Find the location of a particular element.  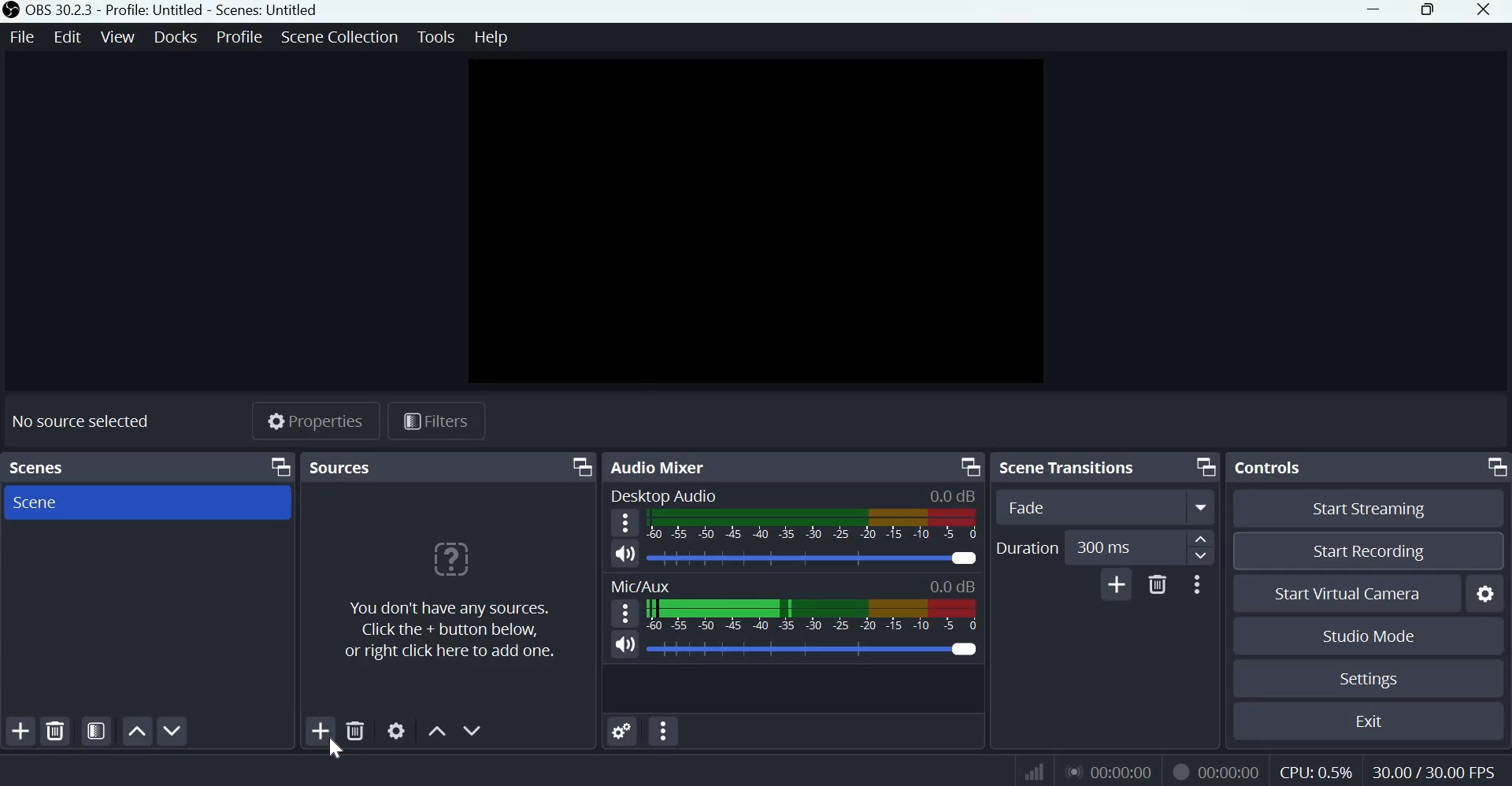

view is located at coordinates (118, 35).